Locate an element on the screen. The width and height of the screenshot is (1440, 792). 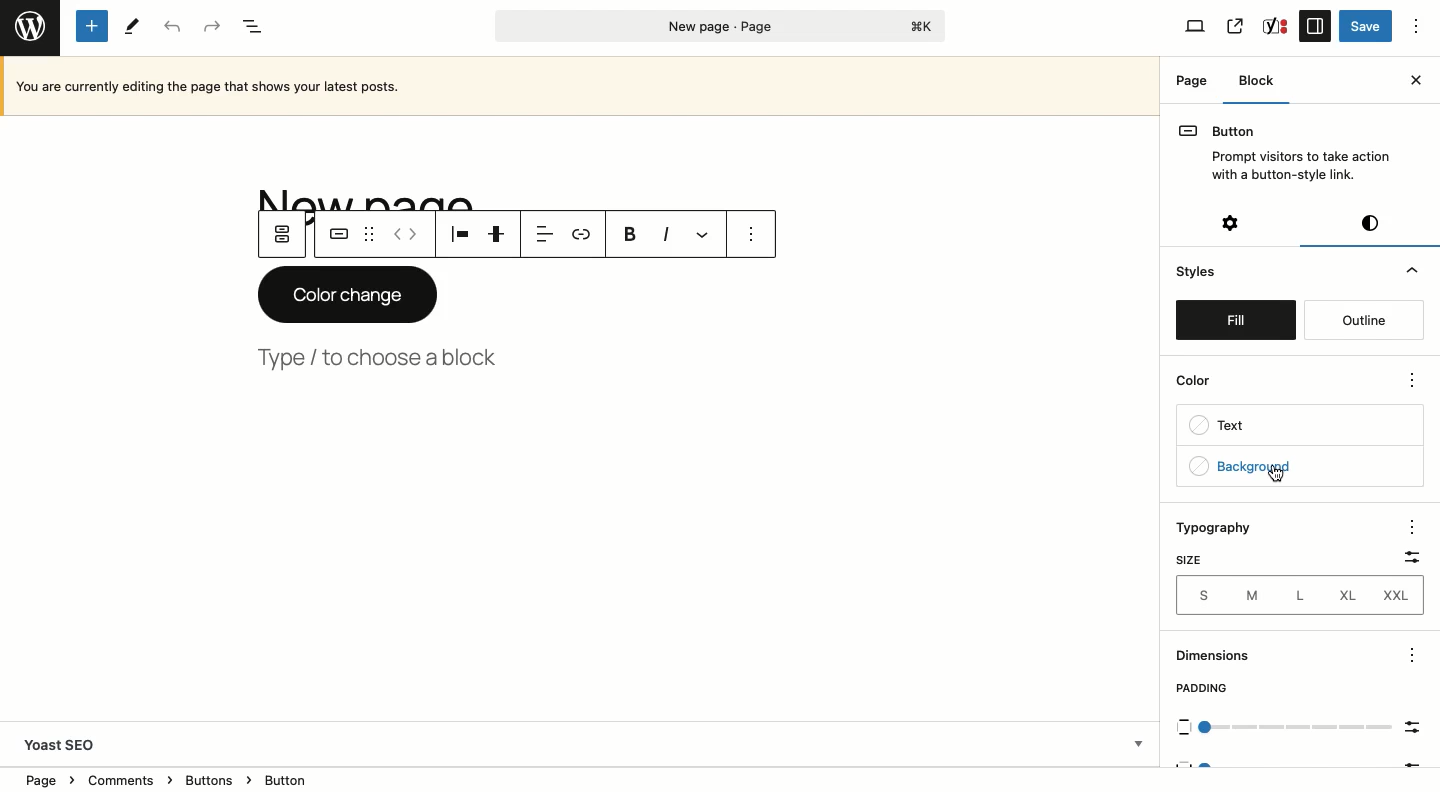
Bold is located at coordinates (630, 234).